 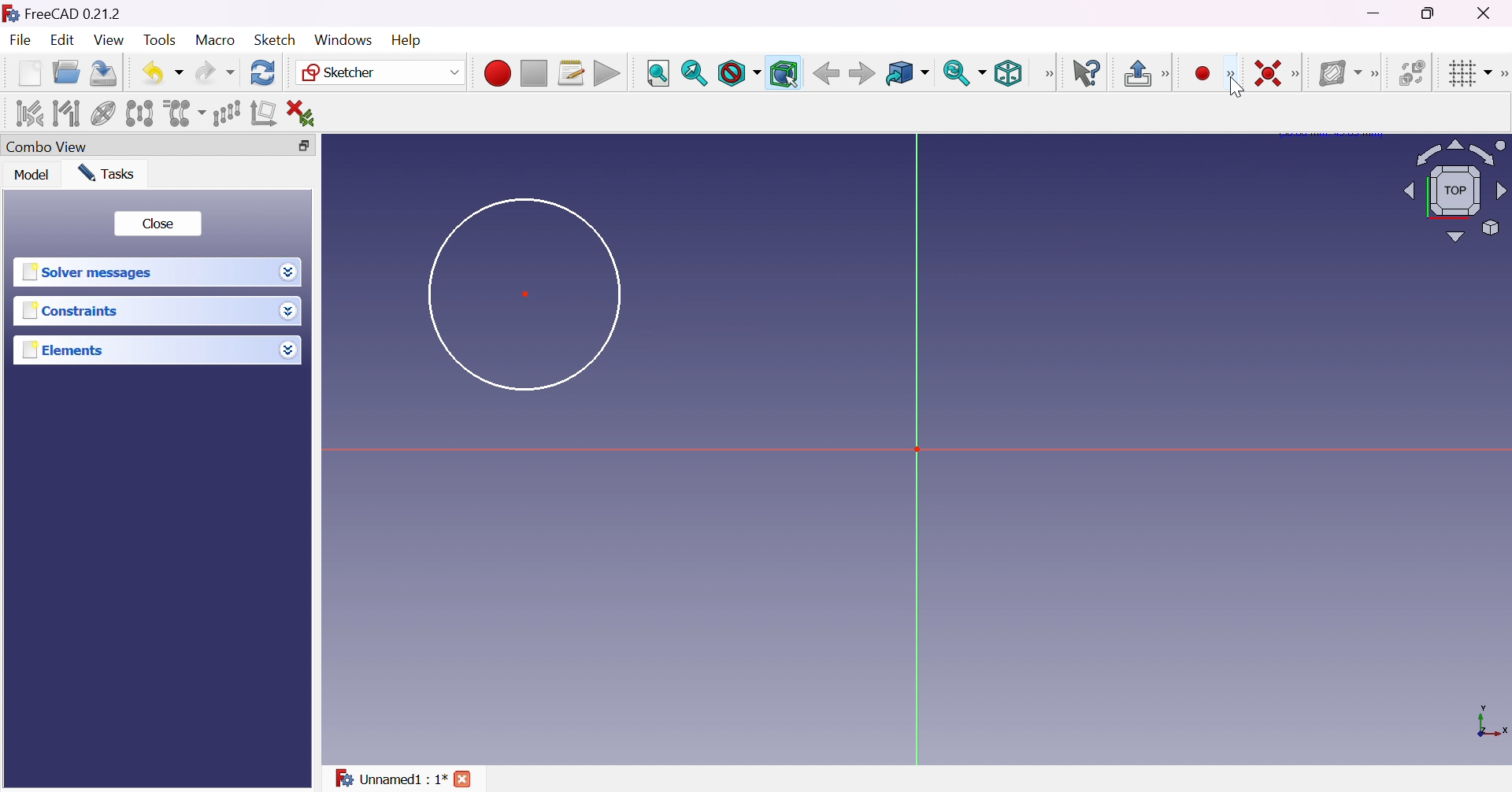 What do you see at coordinates (291, 313) in the screenshot?
I see `Drop` at bounding box center [291, 313].